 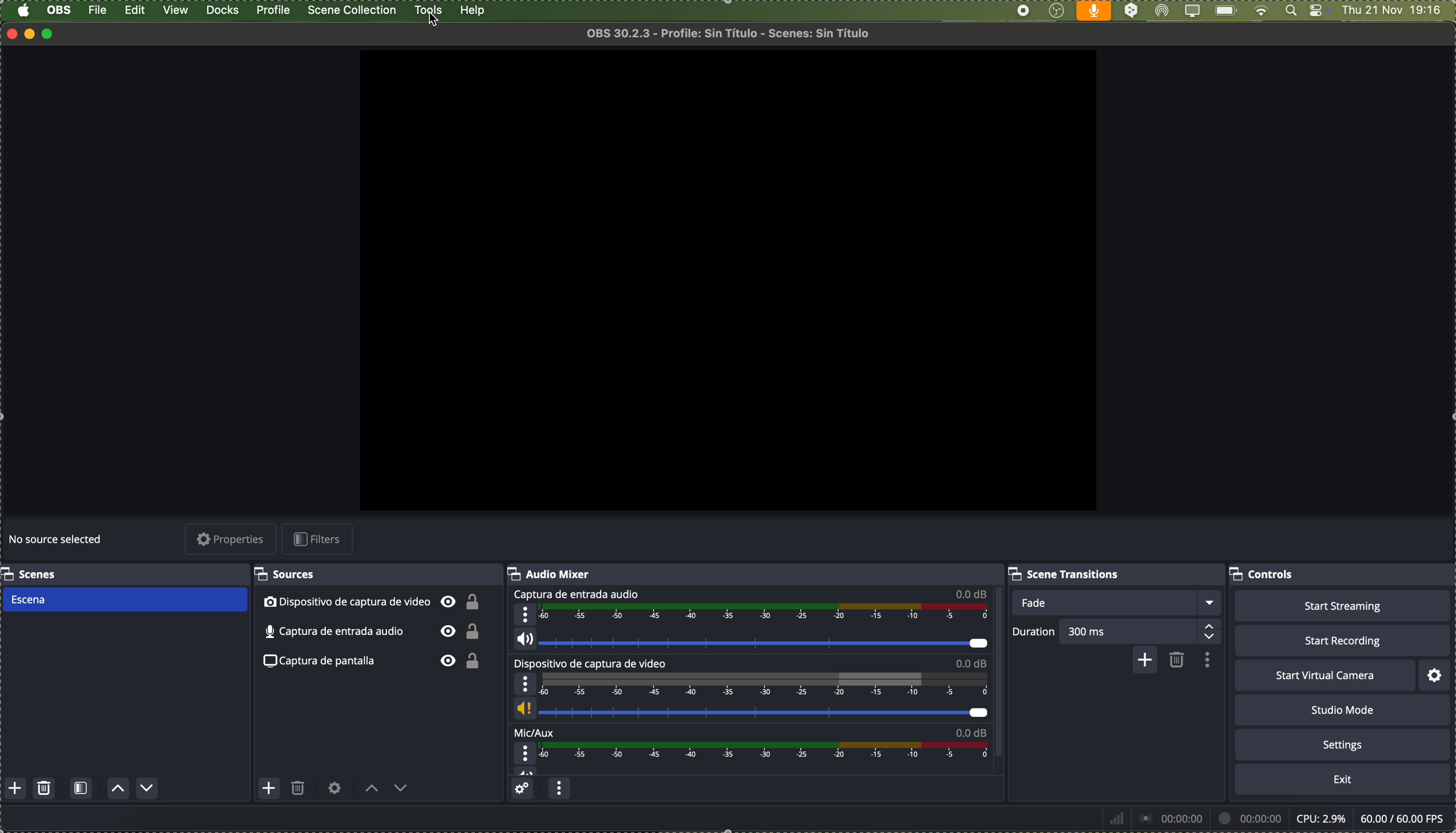 I want to click on remove selected source, so click(x=299, y=791).